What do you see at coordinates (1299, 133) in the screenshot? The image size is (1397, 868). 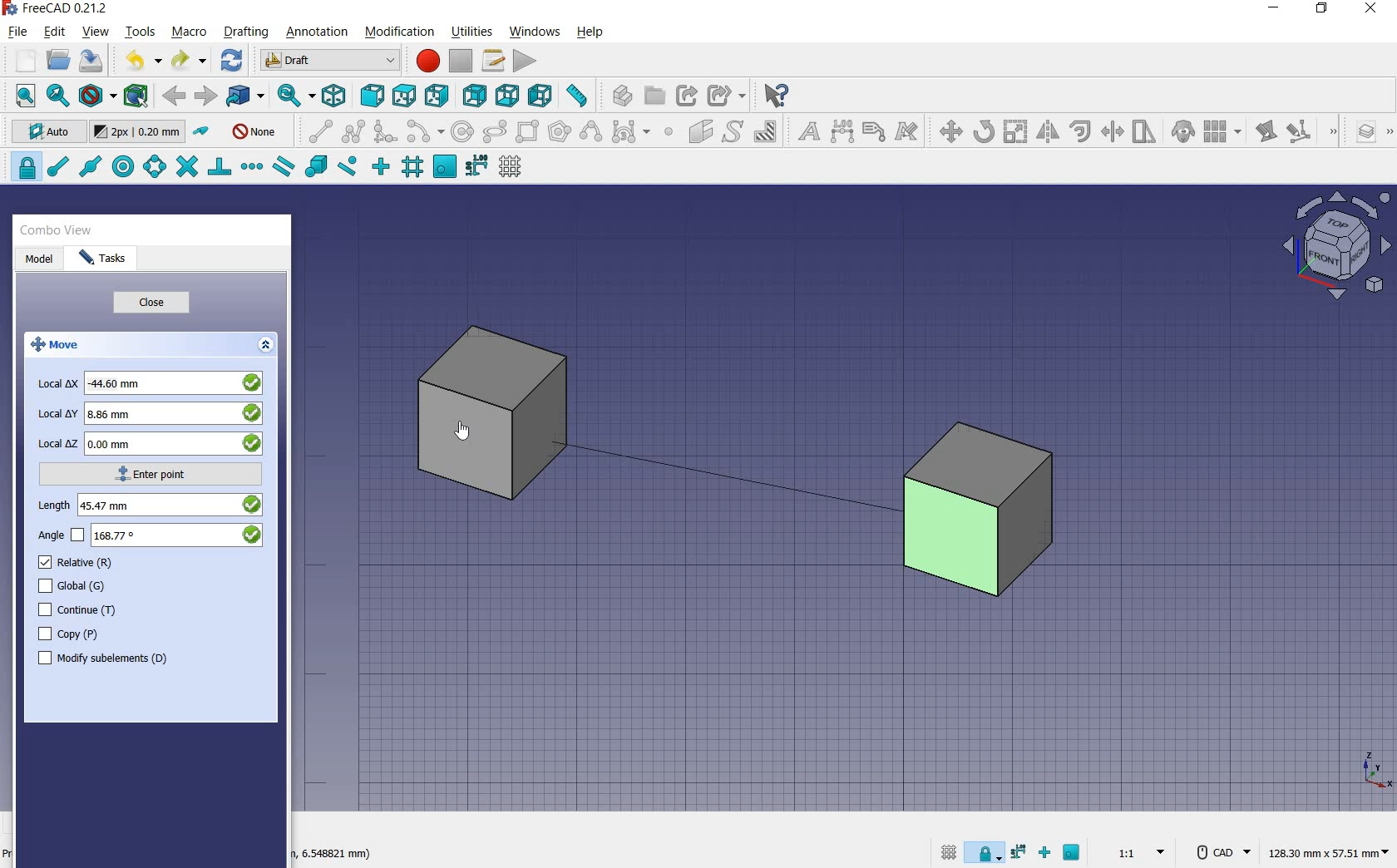 I see `subelement highlight` at bounding box center [1299, 133].